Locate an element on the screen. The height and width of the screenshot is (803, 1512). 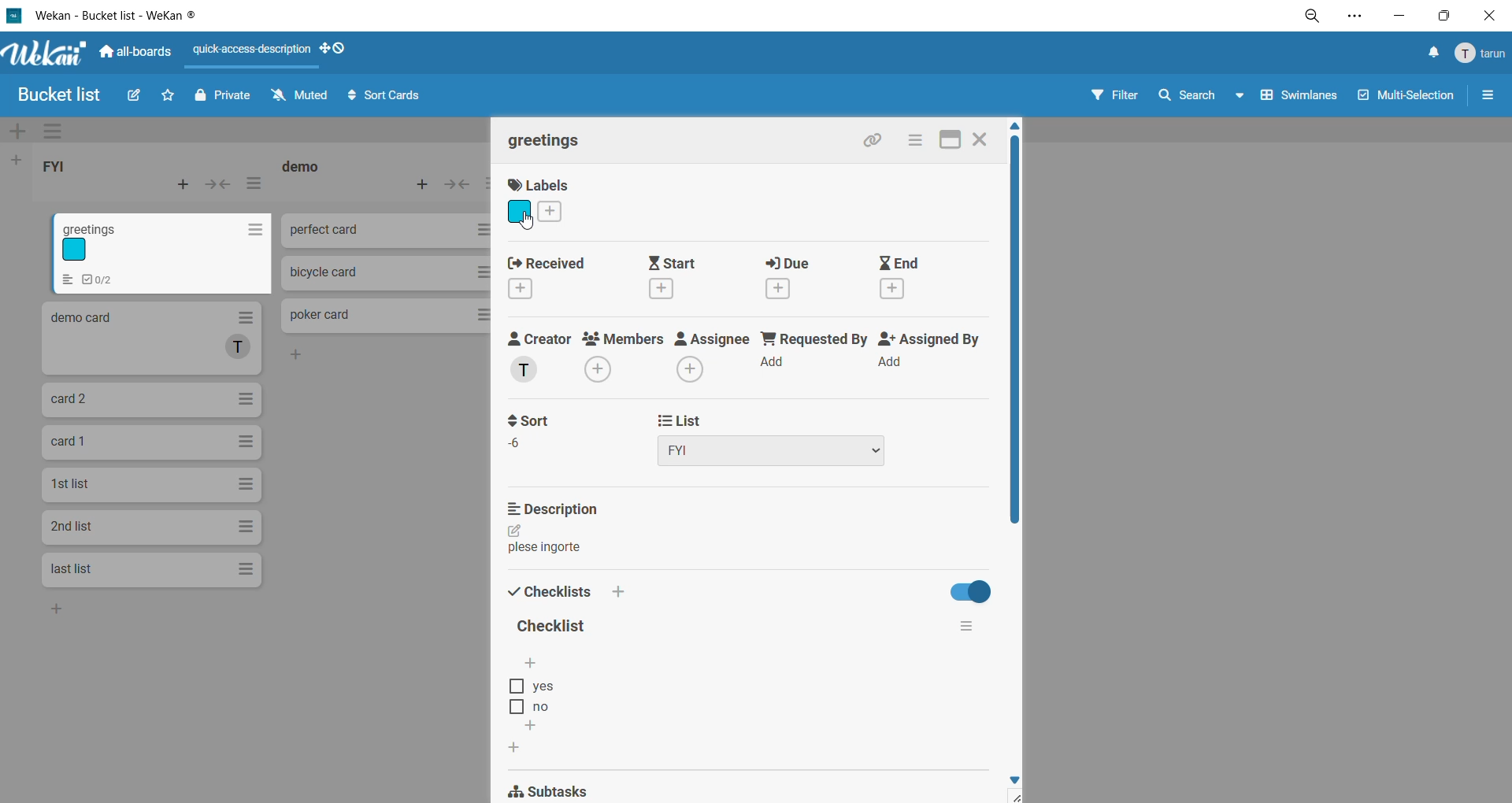
2nd list is located at coordinates (151, 529).